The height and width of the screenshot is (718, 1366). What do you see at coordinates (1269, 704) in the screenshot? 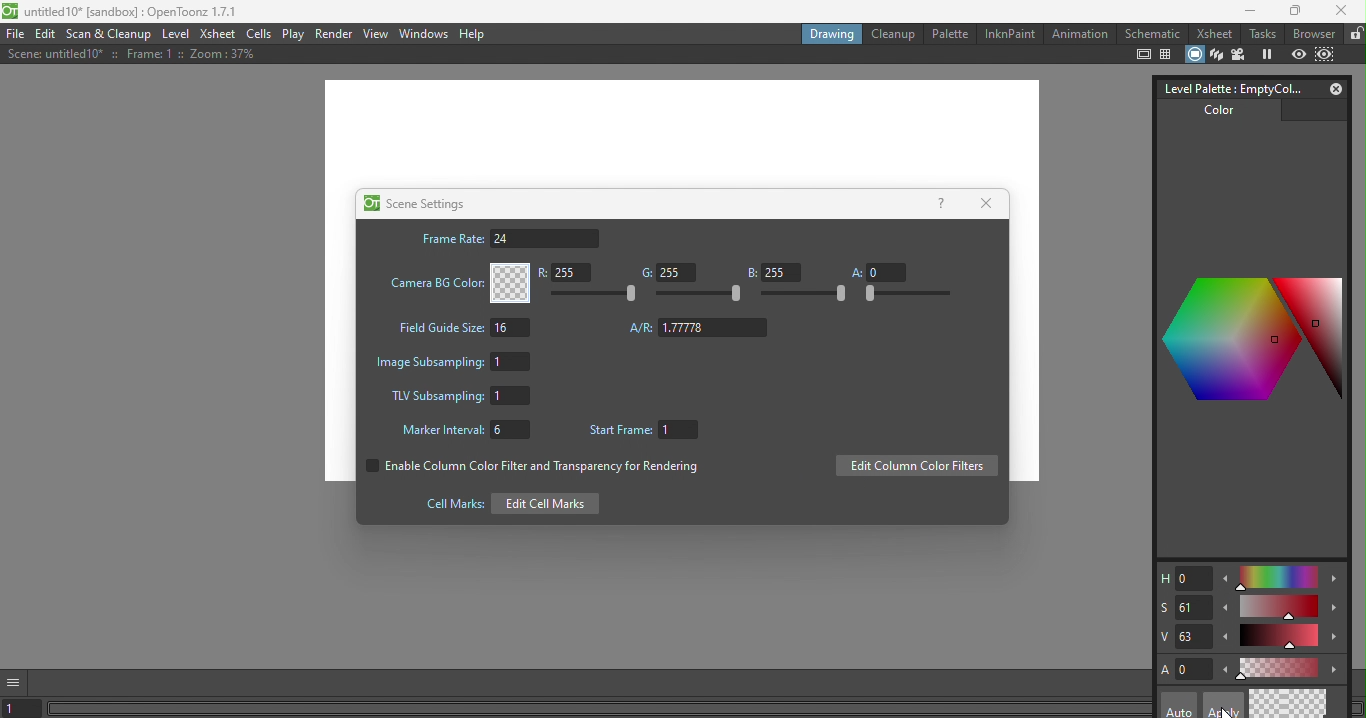
I see `Current style` at bounding box center [1269, 704].